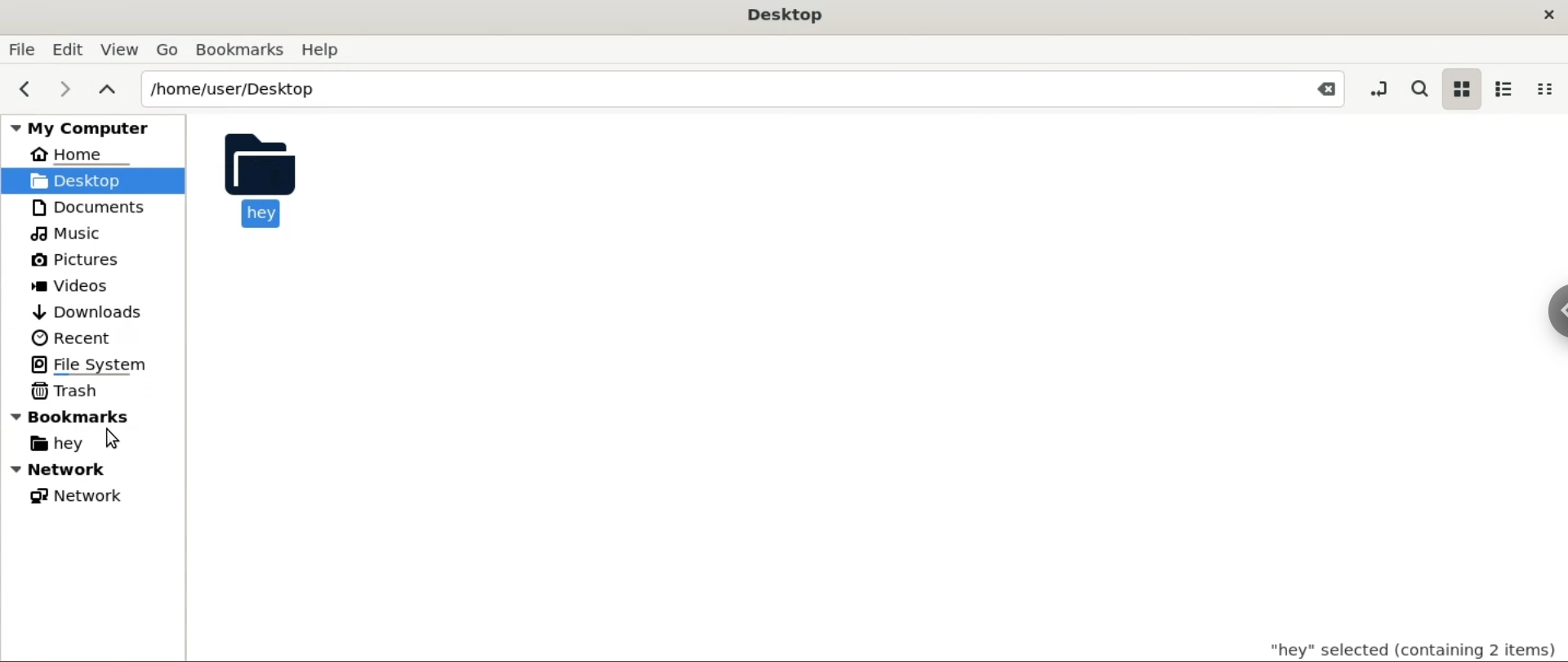 Image resolution: width=1568 pixels, height=662 pixels. Describe the element at coordinates (786, 13) in the screenshot. I see `Desktop` at that location.